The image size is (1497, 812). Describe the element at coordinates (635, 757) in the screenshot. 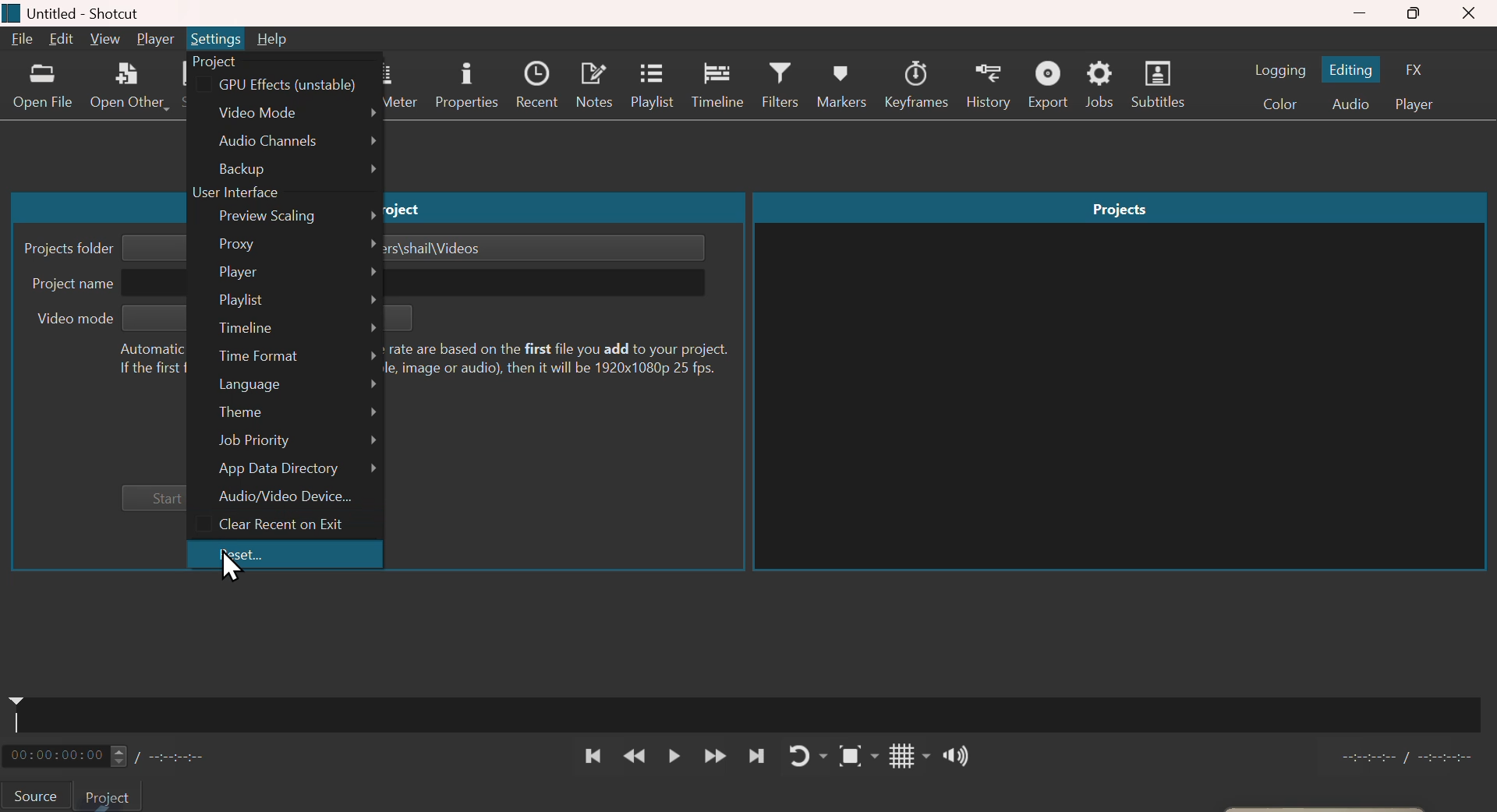

I see `Backward` at that location.